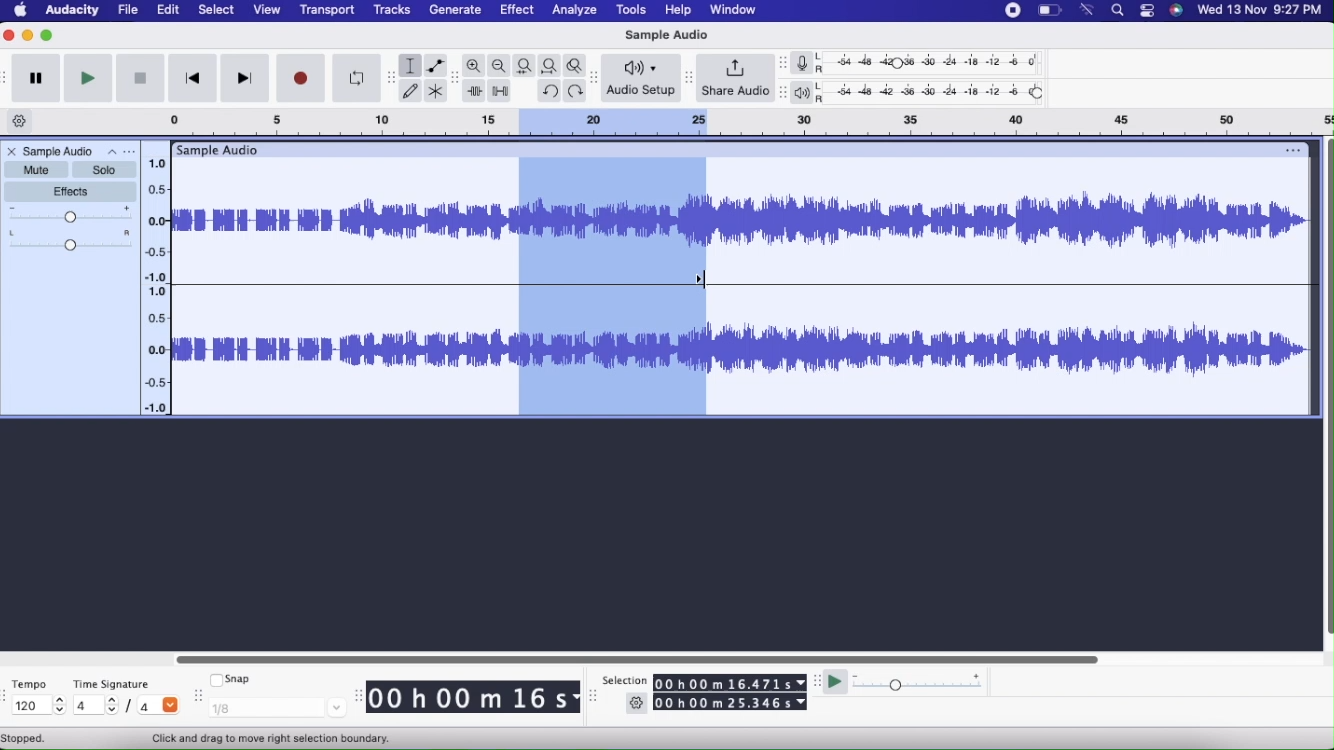 The image size is (1334, 750). Describe the element at coordinates (806, 94) in the screenshot. I see `Playback meter` at that location.